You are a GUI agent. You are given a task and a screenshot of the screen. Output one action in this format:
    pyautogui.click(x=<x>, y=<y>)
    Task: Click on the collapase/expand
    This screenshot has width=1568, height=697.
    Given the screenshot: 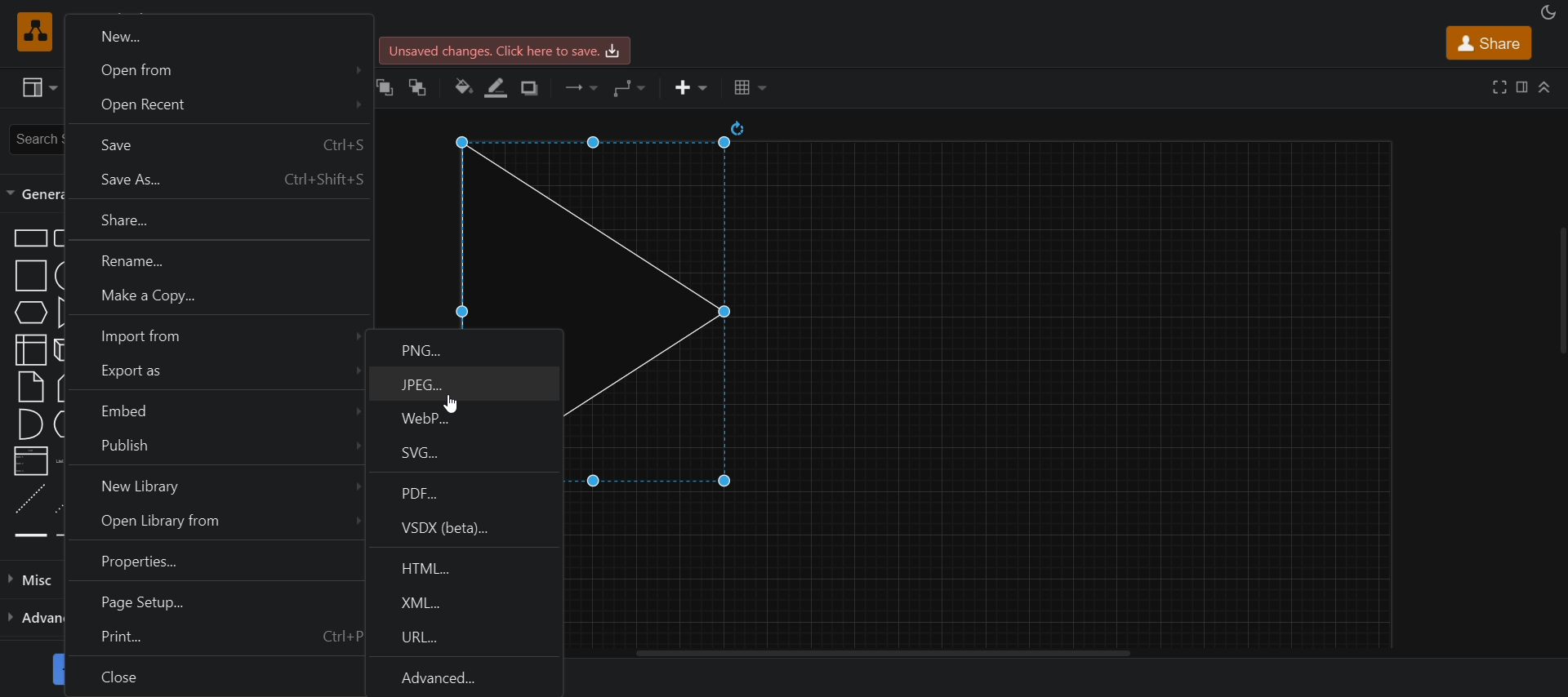 What is the action you would take?
    pyautogui.click(x=1543, y=89)
    